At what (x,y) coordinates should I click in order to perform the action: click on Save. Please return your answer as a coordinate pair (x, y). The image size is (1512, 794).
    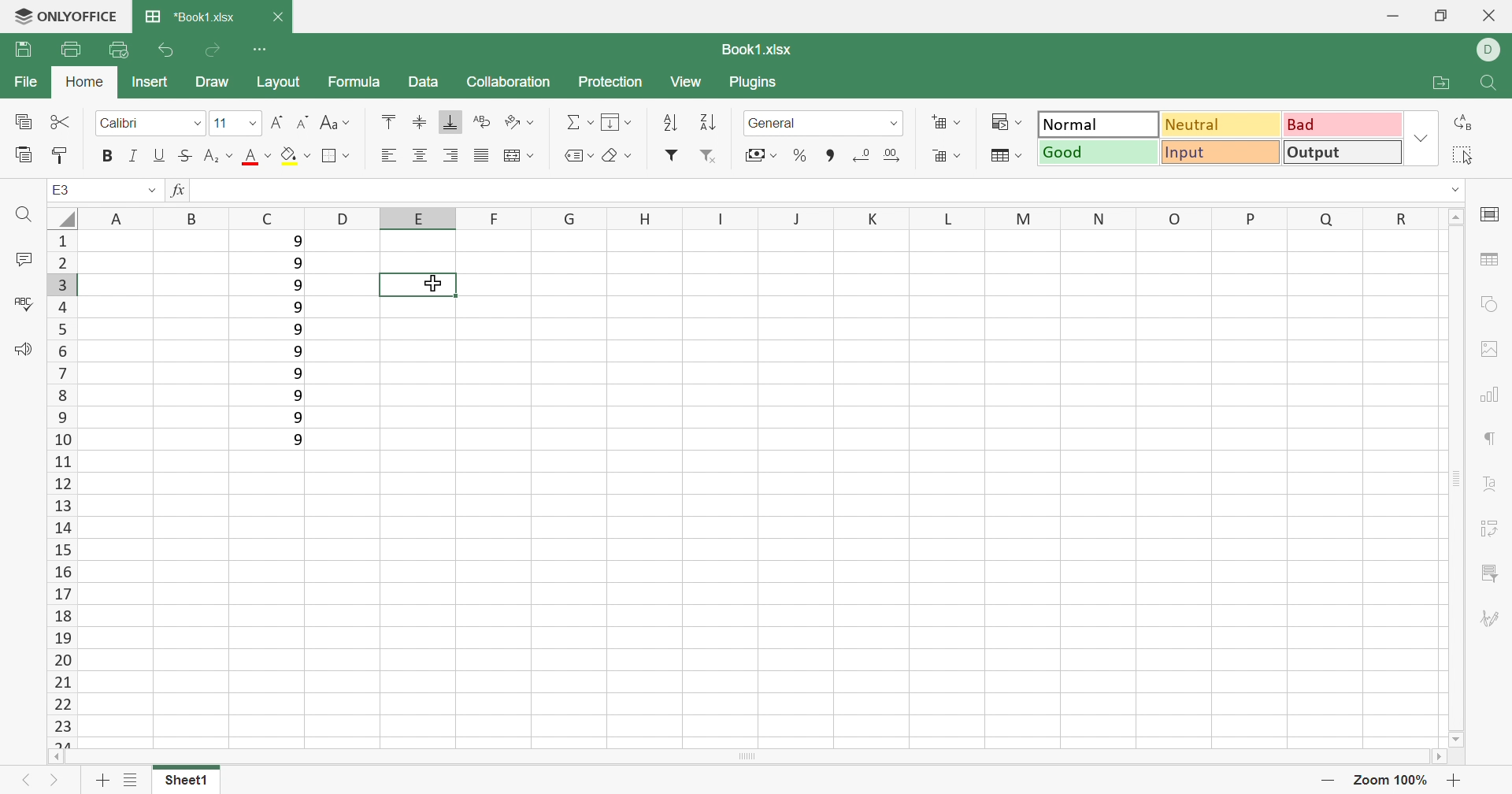
    Looking at the image, I should click on (17, 50).